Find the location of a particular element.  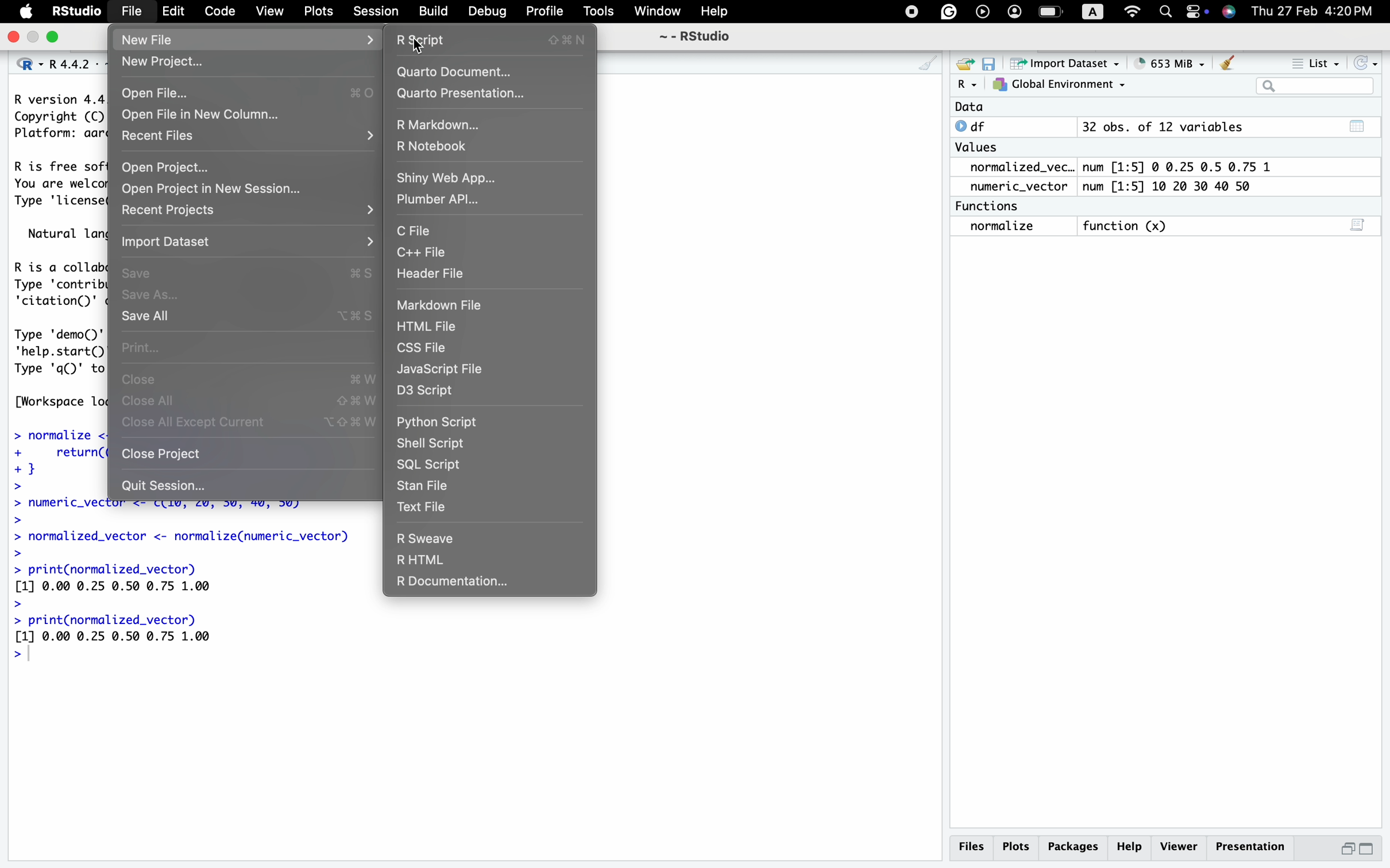

Window is located at coordinates (657, 13).